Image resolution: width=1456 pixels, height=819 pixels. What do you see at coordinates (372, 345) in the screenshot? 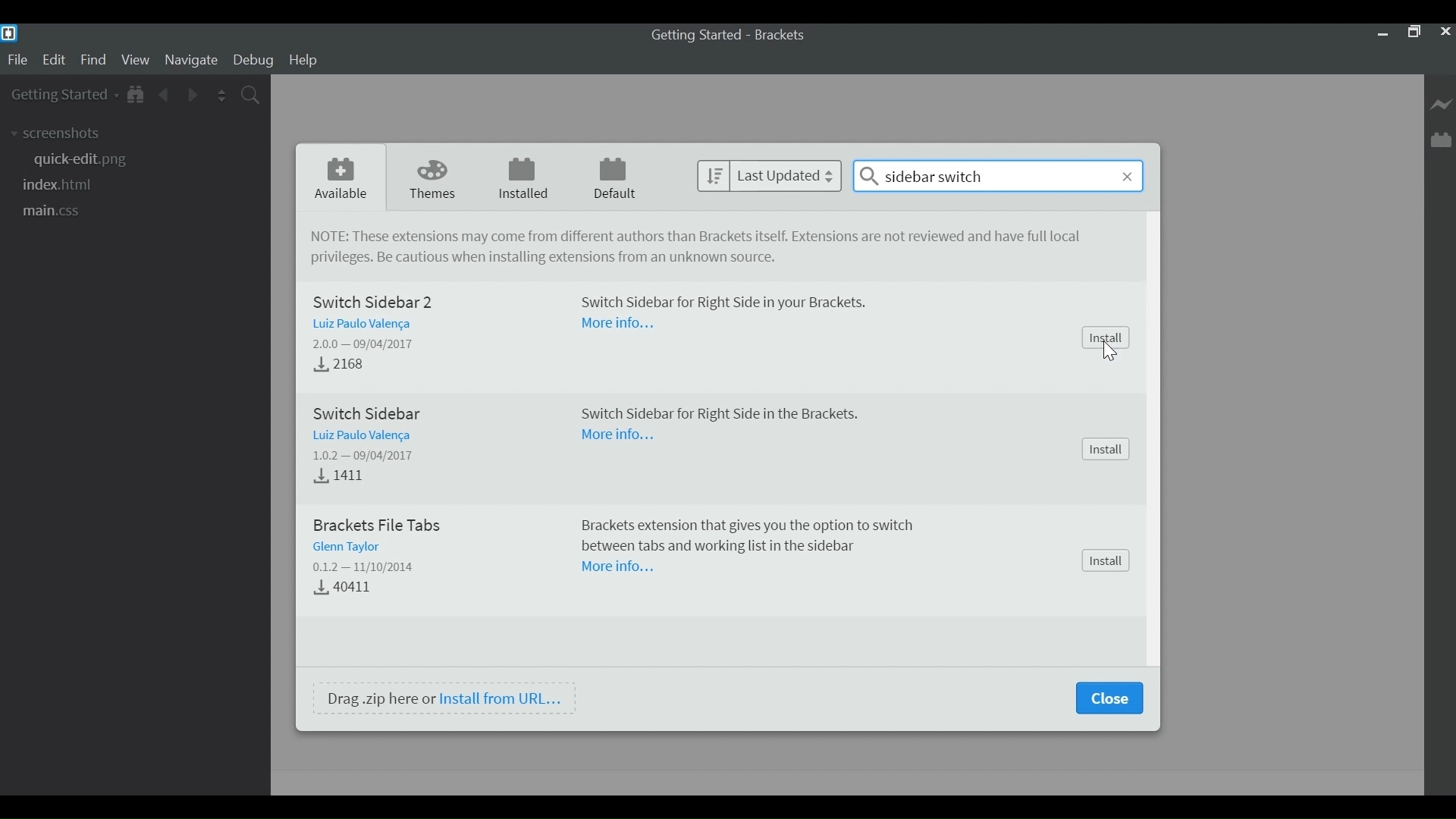
I see `2.0.0 — 09/04/2017` at bounding box center [372, 345].